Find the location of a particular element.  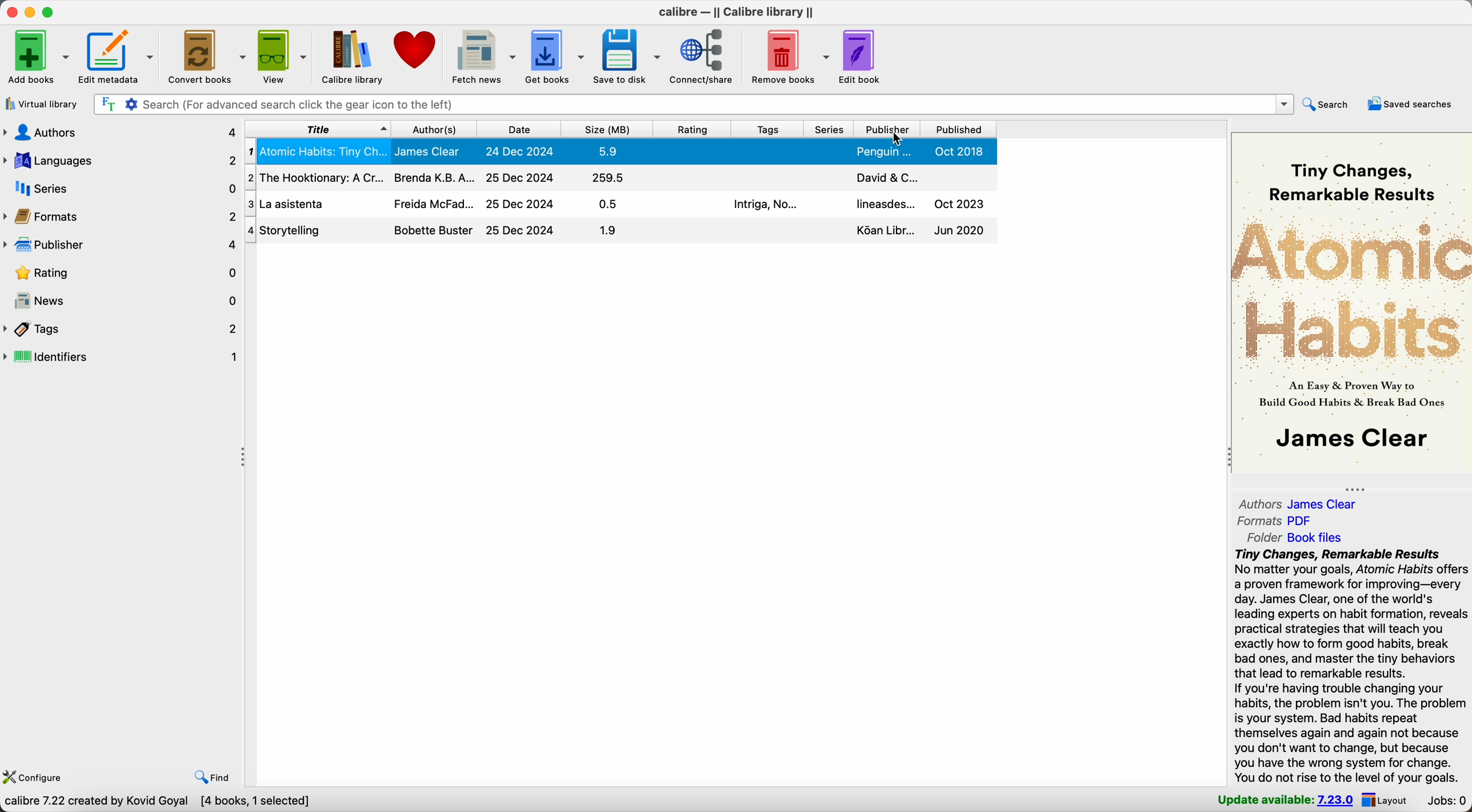

click on publisher is located at coordinates (889, 129).